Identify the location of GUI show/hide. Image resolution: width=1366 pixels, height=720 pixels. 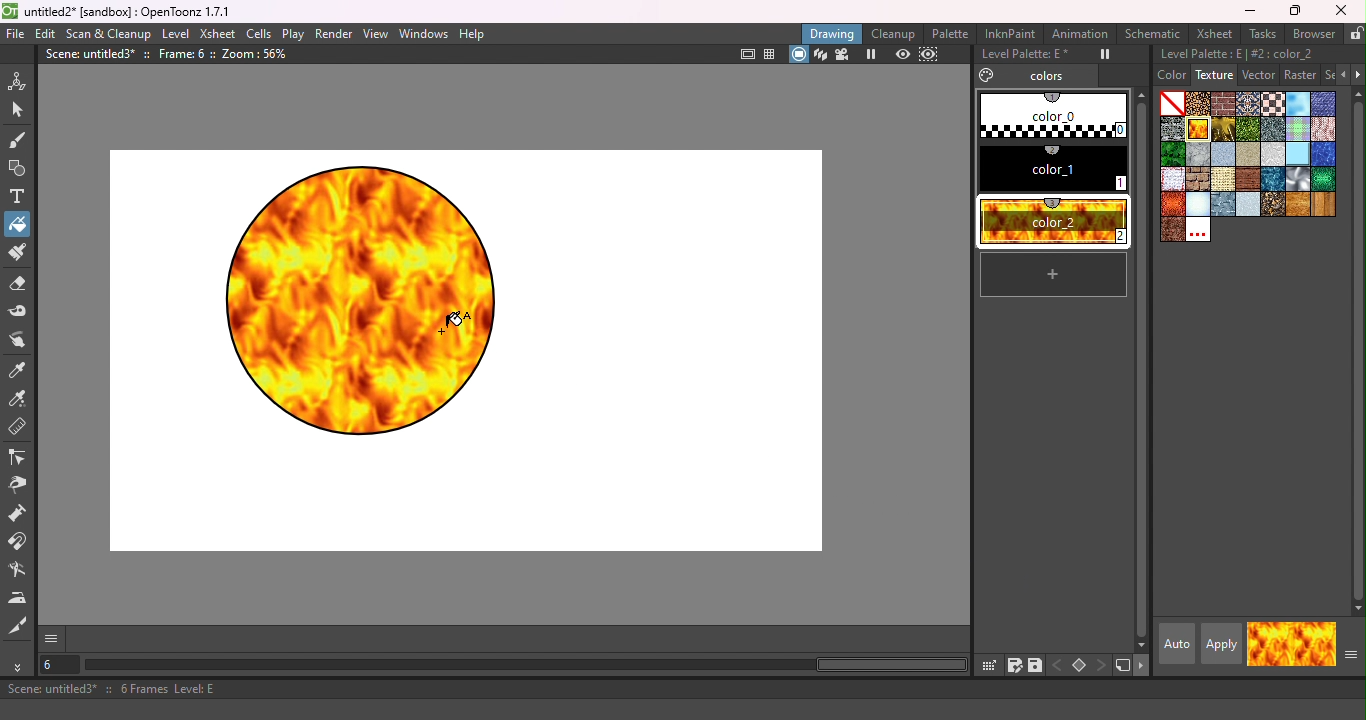
(53, 639).